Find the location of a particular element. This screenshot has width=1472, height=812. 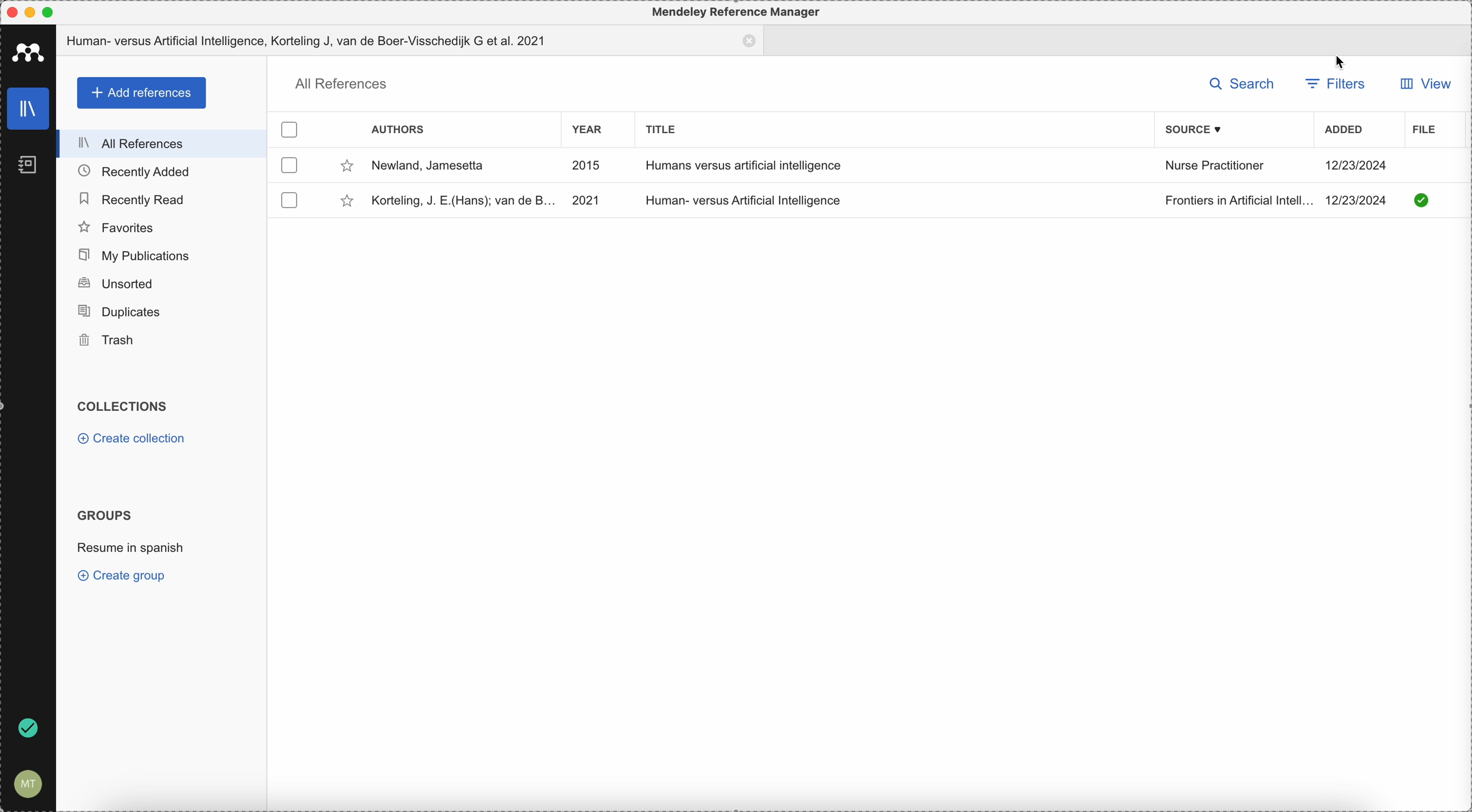

Nurse Practitioner is located at coordinates (1217, 166).